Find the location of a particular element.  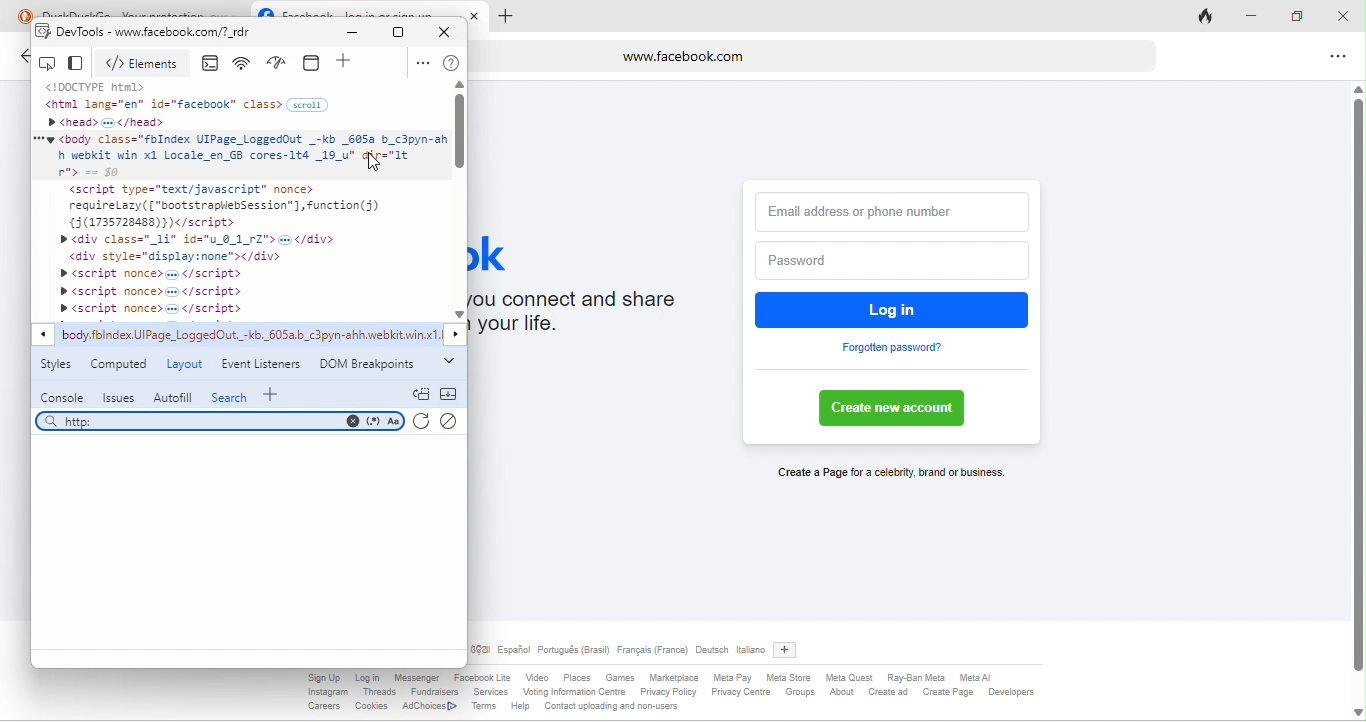

elements is located at coordinates (146, 64).